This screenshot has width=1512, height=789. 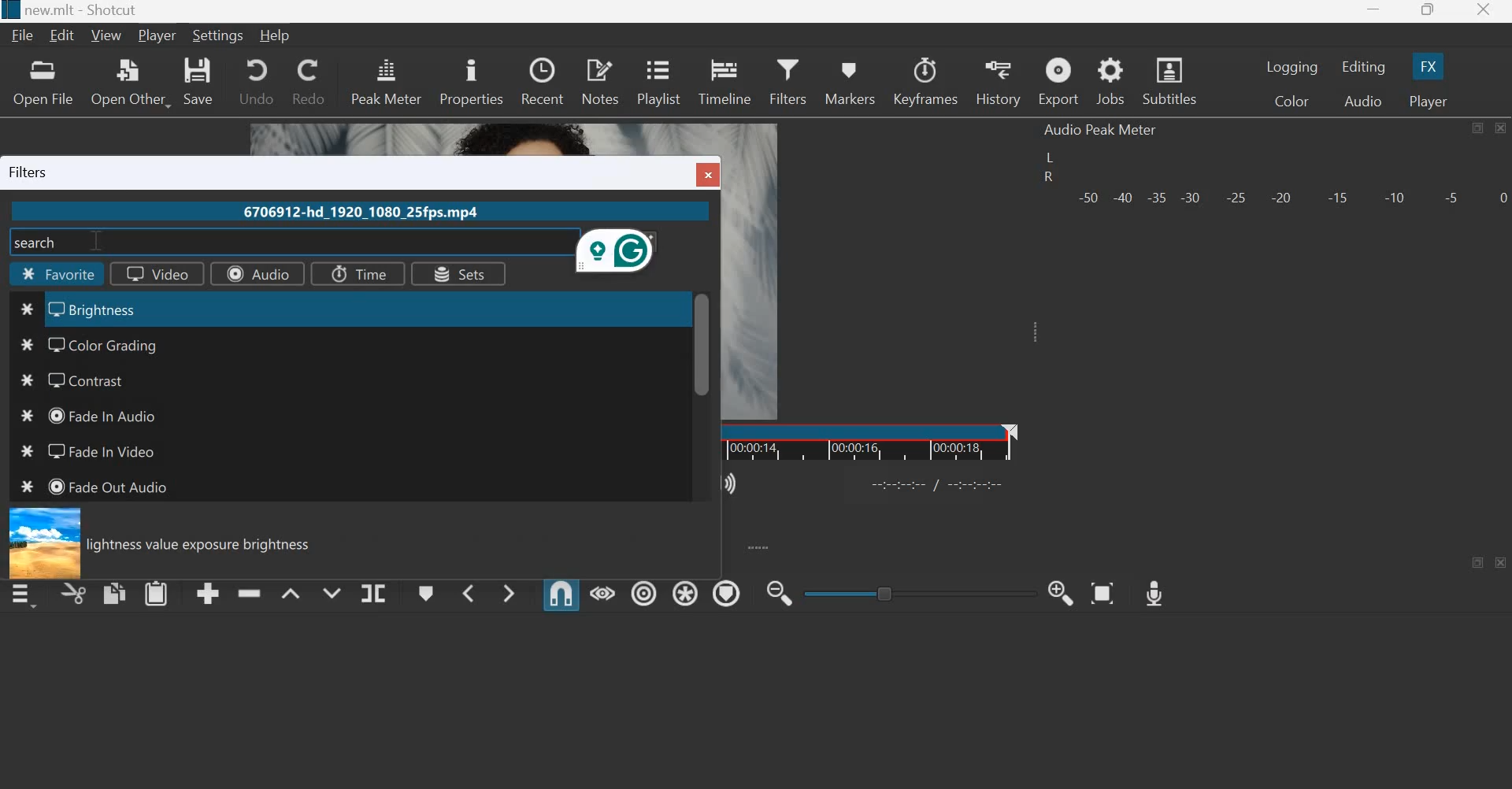 What do you see at coordinates (758, 546) in the screenshot?
I see `expand` at bounding box center [758, 546].